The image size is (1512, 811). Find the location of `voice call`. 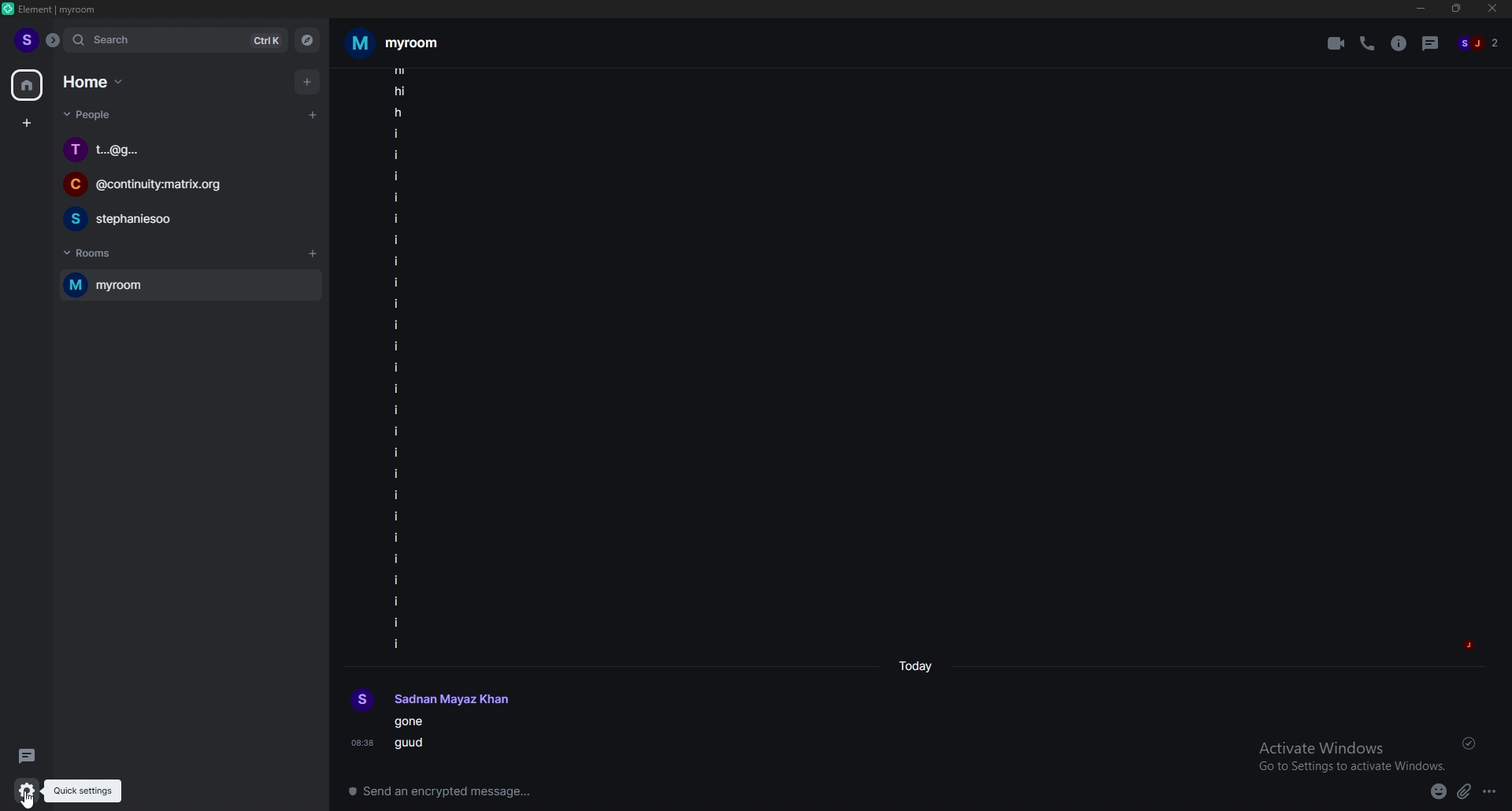

voice call is located at coordinates (1367, 43).